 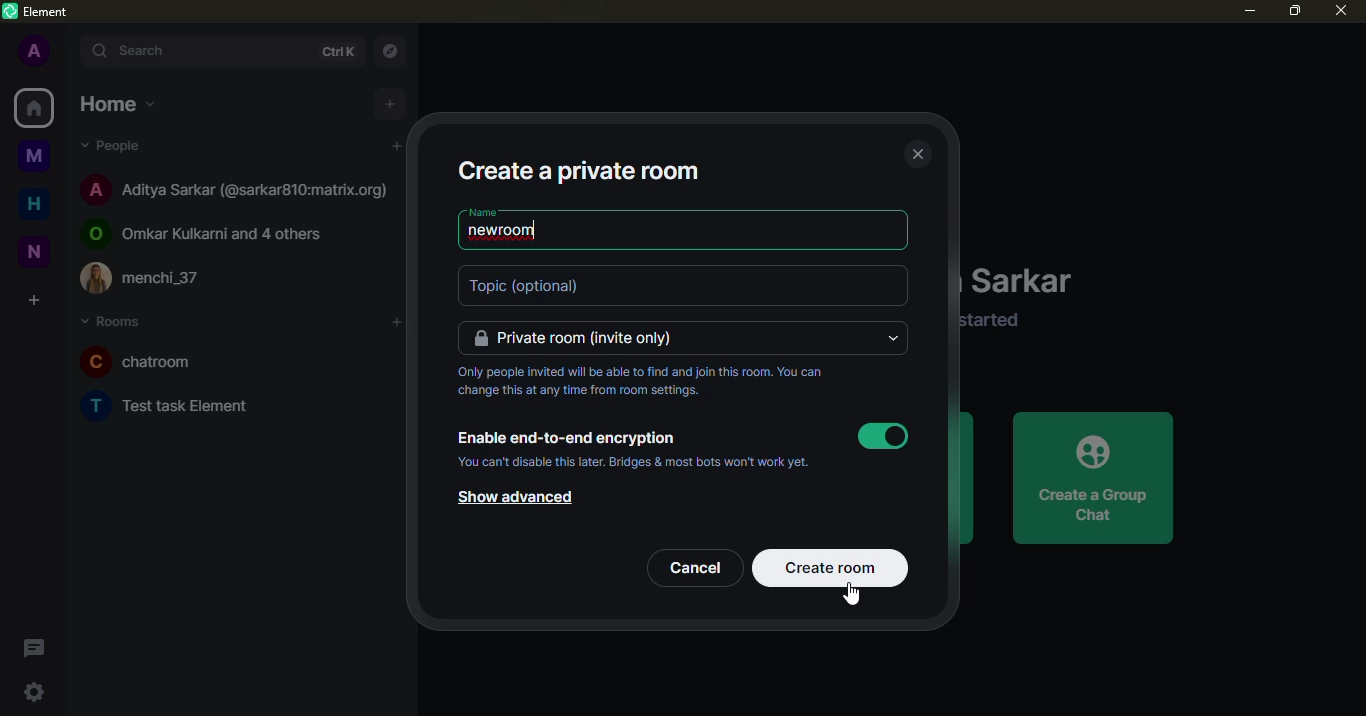 What do you see at coordinates (483, 213) in the screenshot?
I see `name` at bounding box center [483, 213].